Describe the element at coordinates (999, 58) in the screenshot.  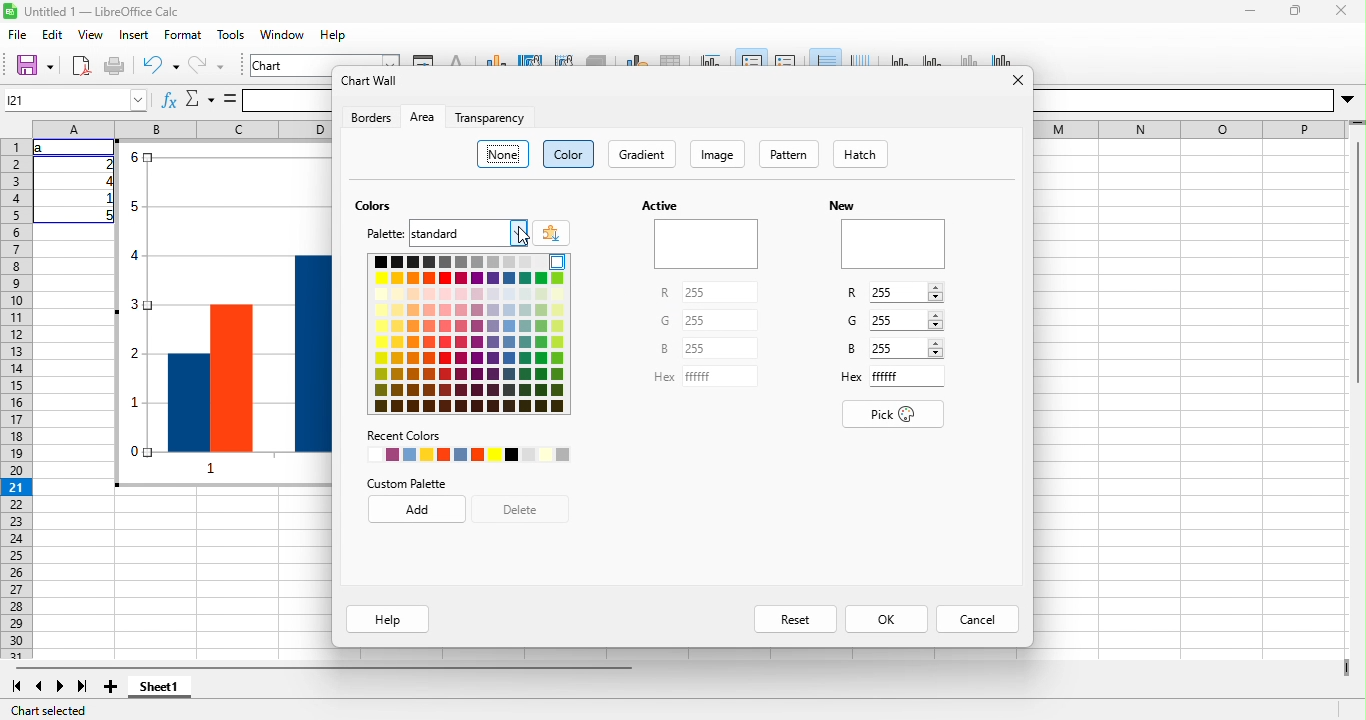
I see `all axes` at that location.